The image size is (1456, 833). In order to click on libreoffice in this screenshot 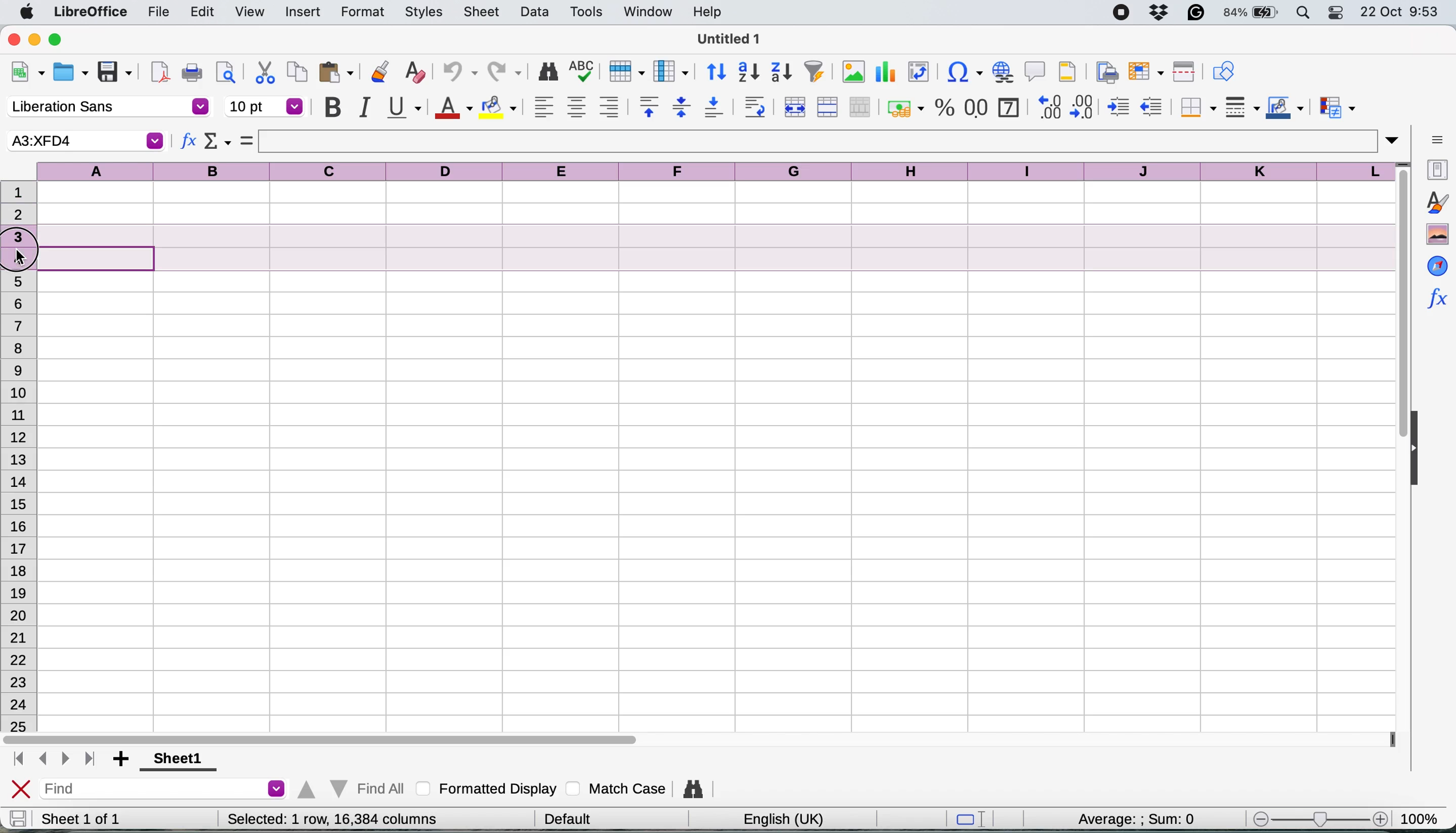, I will do `click(93, 13)`.